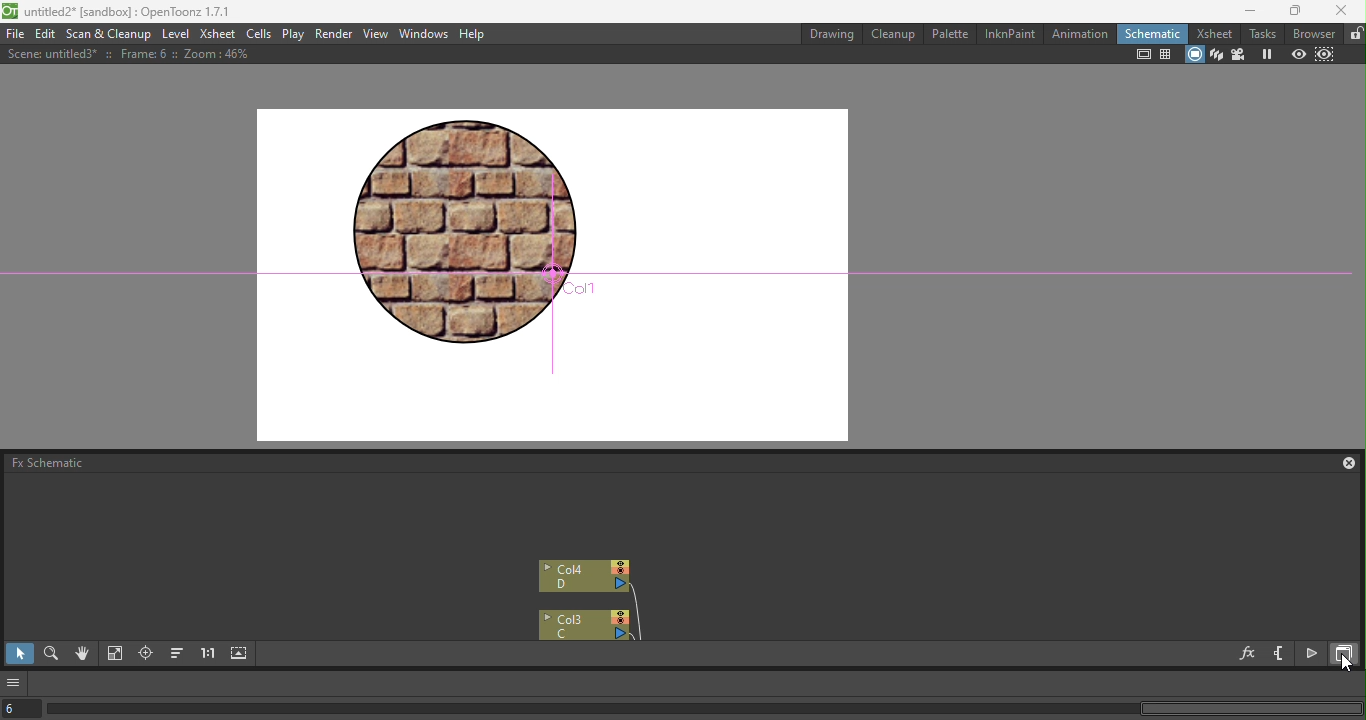 The image size is (1366, 720). I want to click on Help, so click(473, 34).